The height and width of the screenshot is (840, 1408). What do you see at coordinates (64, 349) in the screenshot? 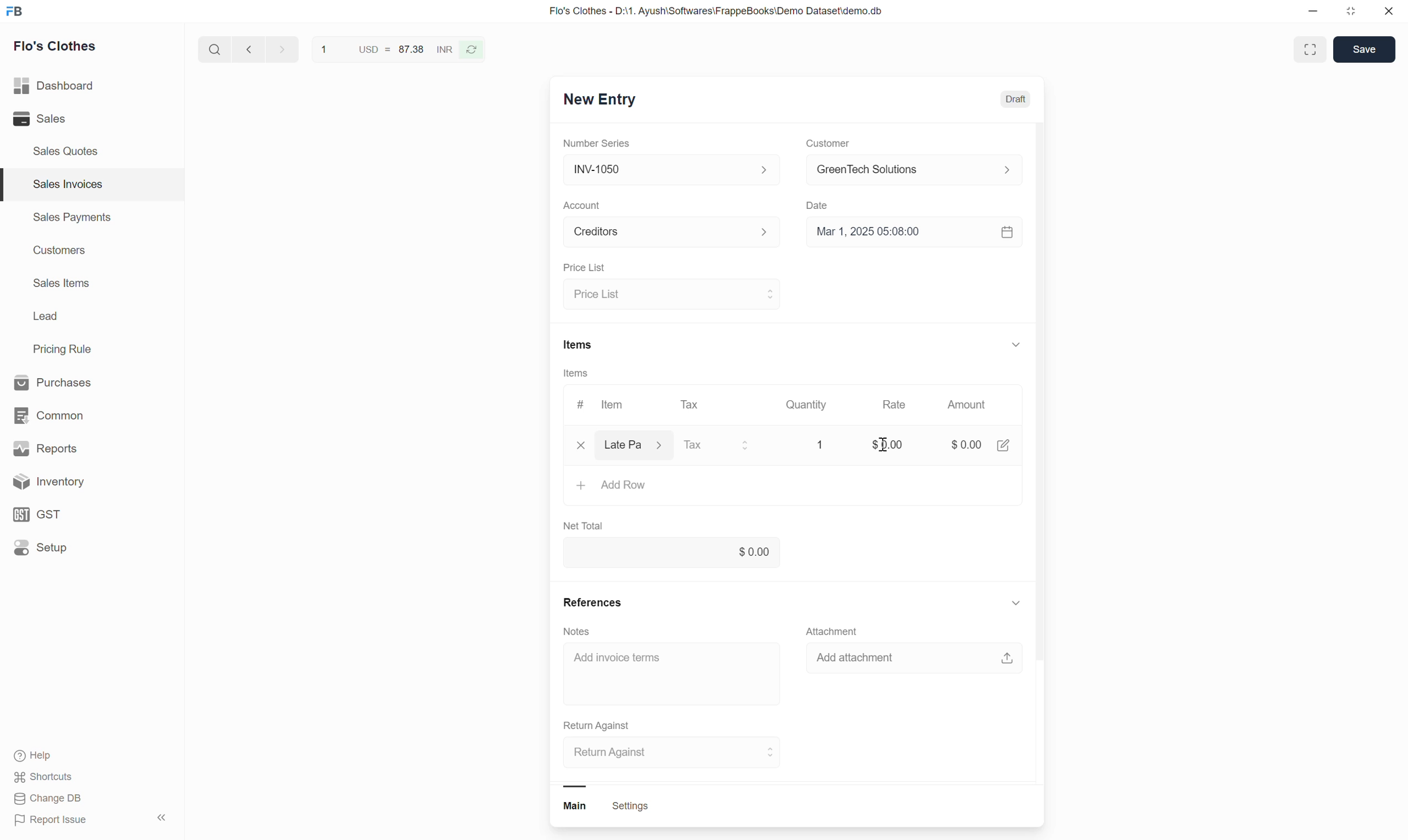
I see `Pricing Rule` at bounding box center [64, 349].